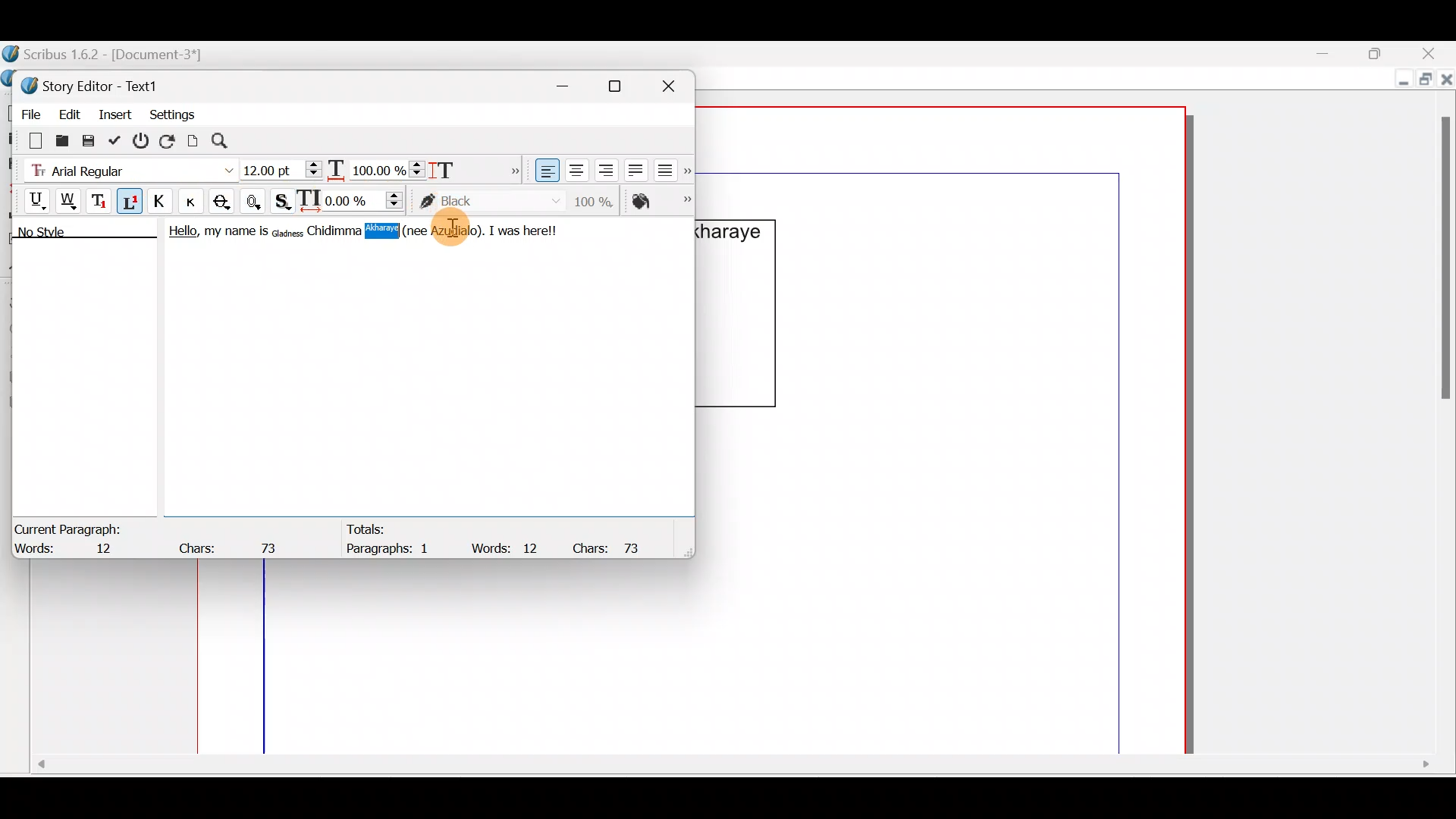 The height and width of the screenshot is (819, 1456). I want to click on Align text justified, so click(634, 168).